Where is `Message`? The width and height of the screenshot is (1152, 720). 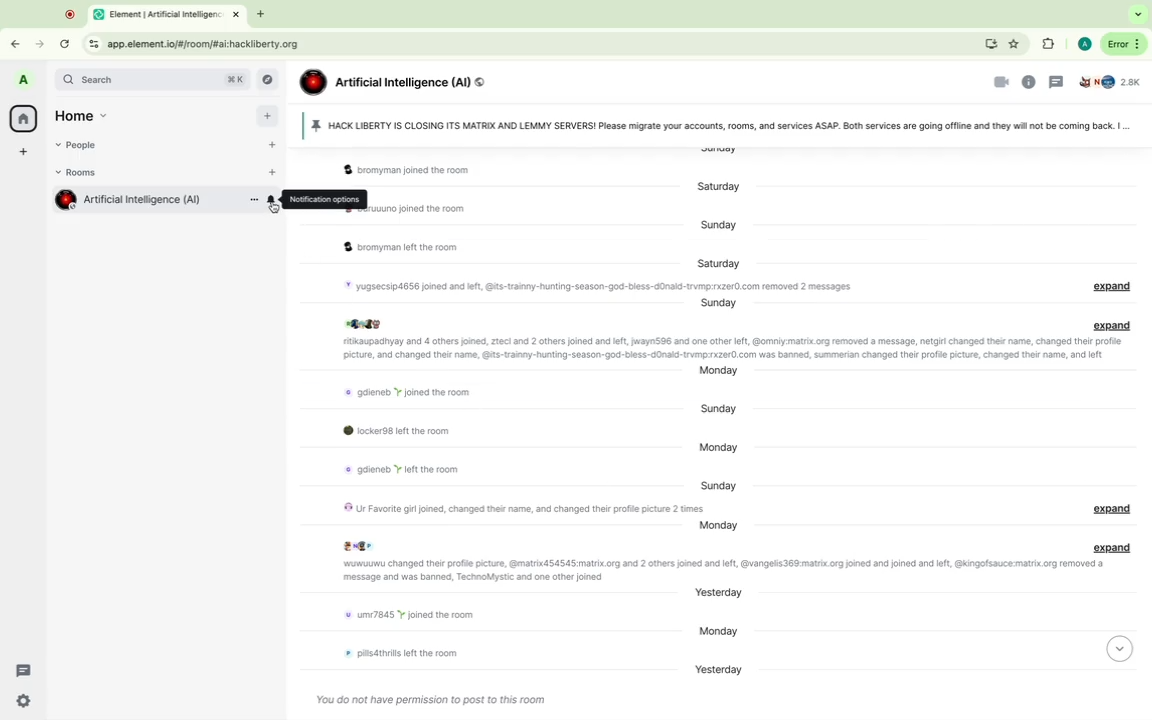
Message is located at coordinates (433, 172).